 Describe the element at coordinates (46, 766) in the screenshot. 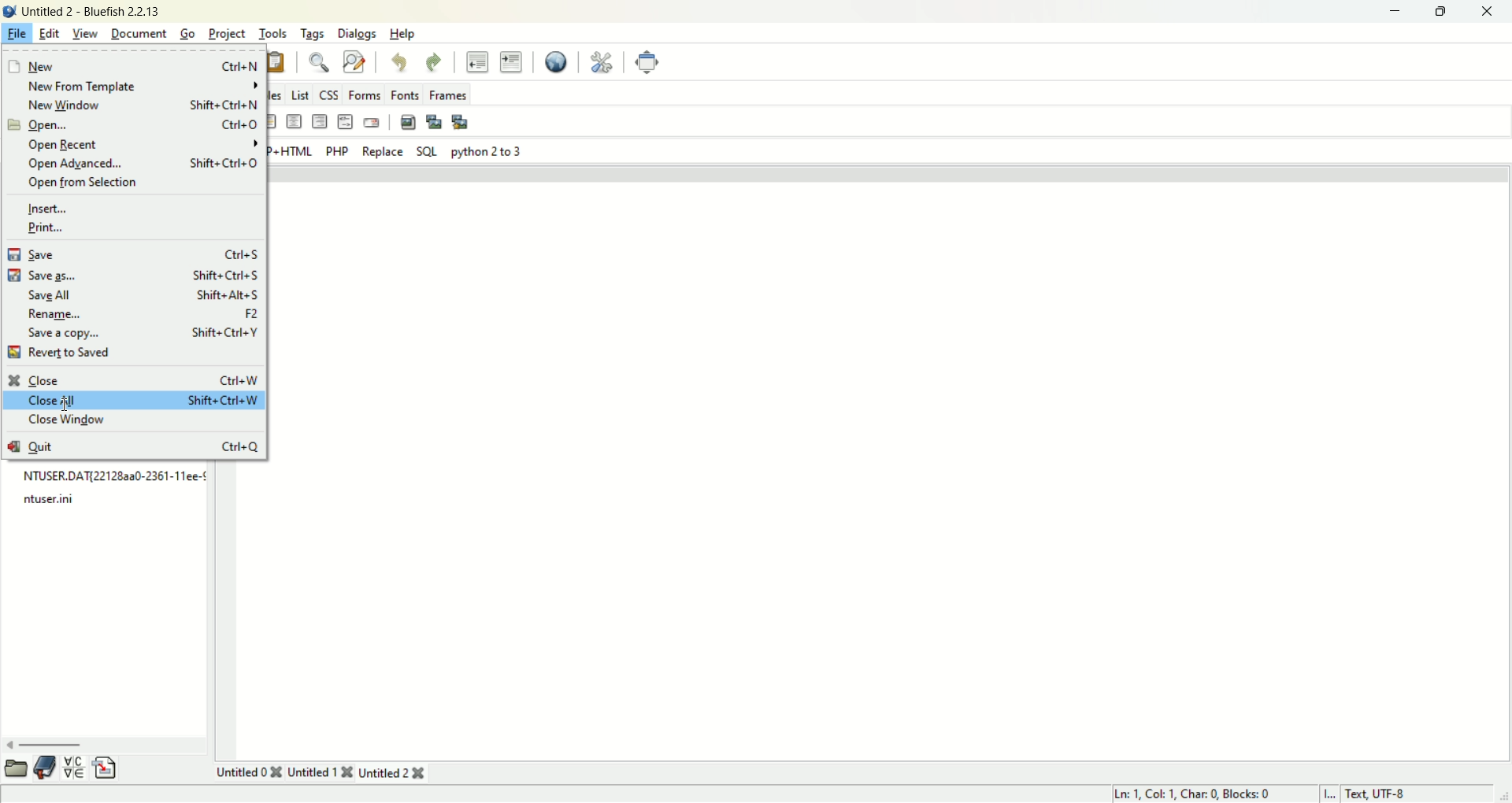

I see `documentation` at that location.